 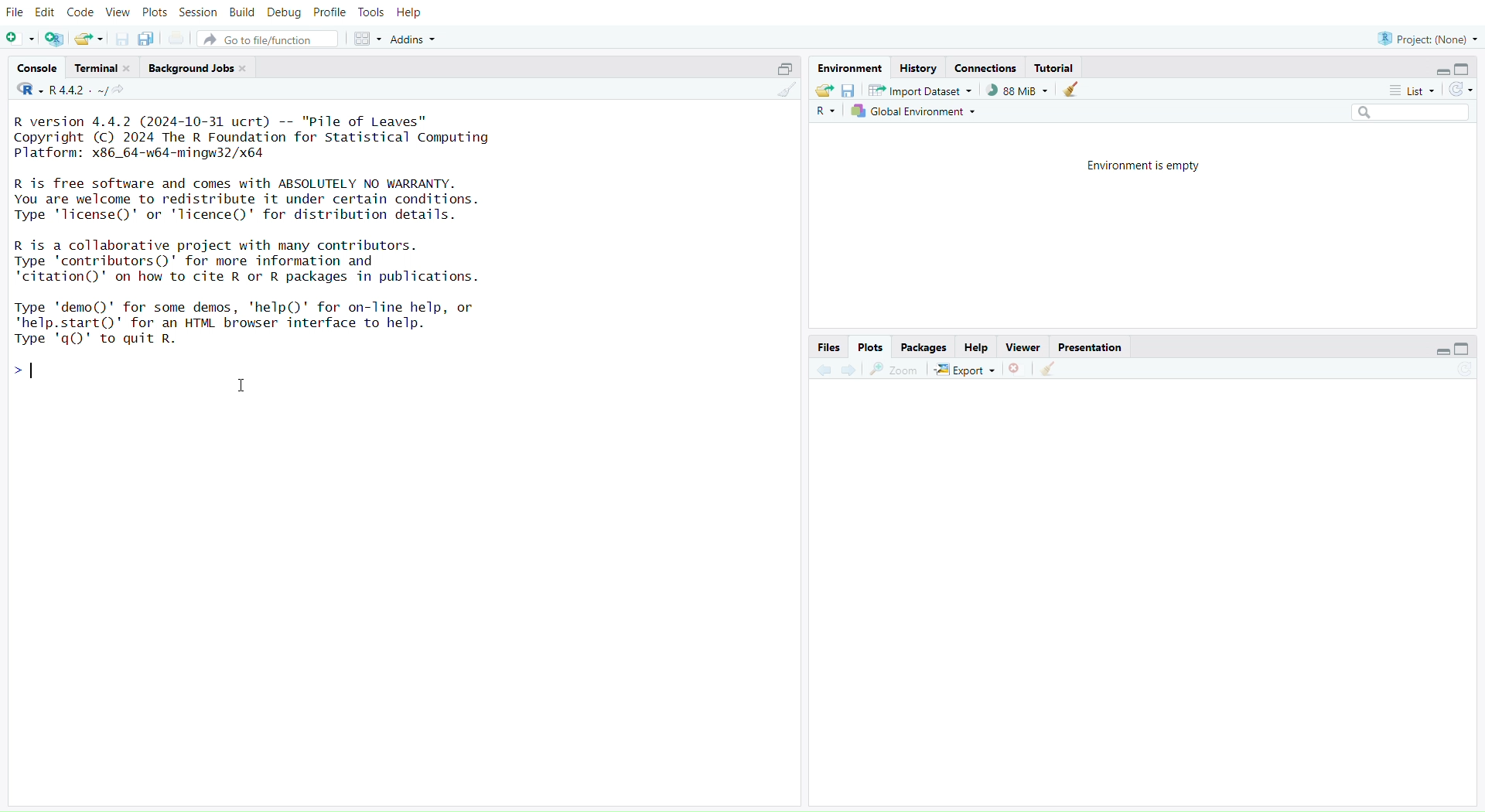 I want to click on R 4.4.2, so click(x=63, y=90).